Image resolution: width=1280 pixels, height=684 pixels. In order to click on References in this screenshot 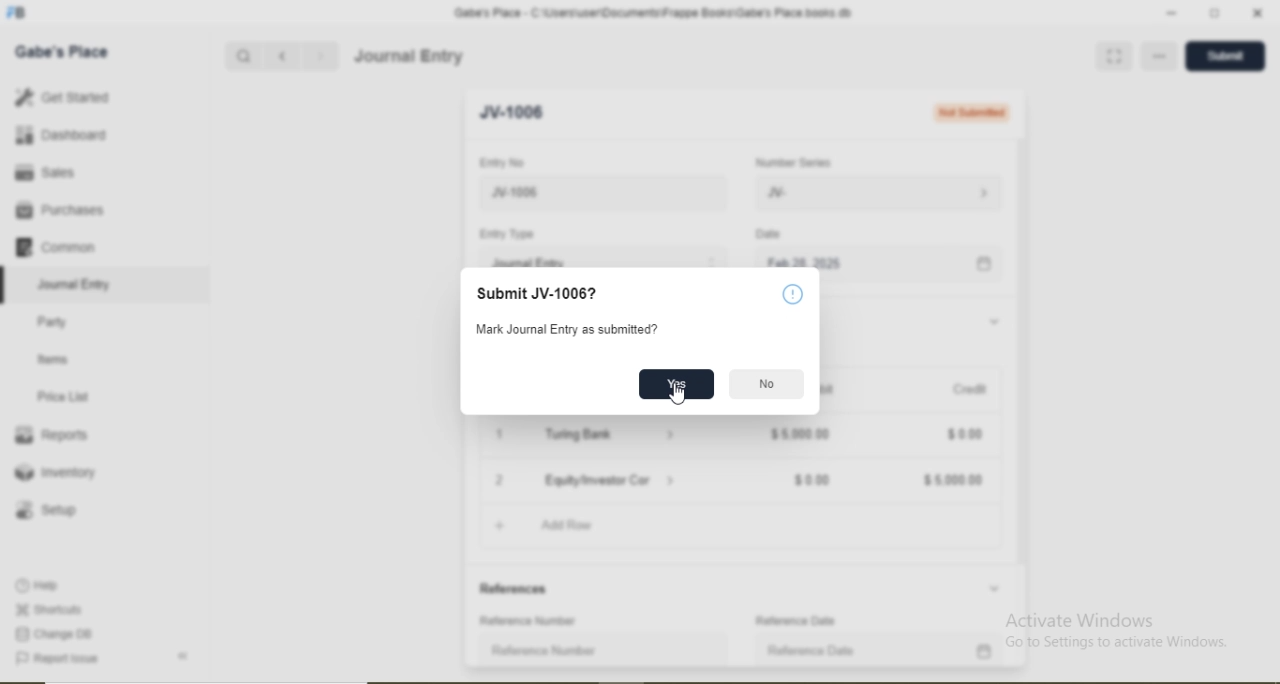, I will do `click(516, 589)`.